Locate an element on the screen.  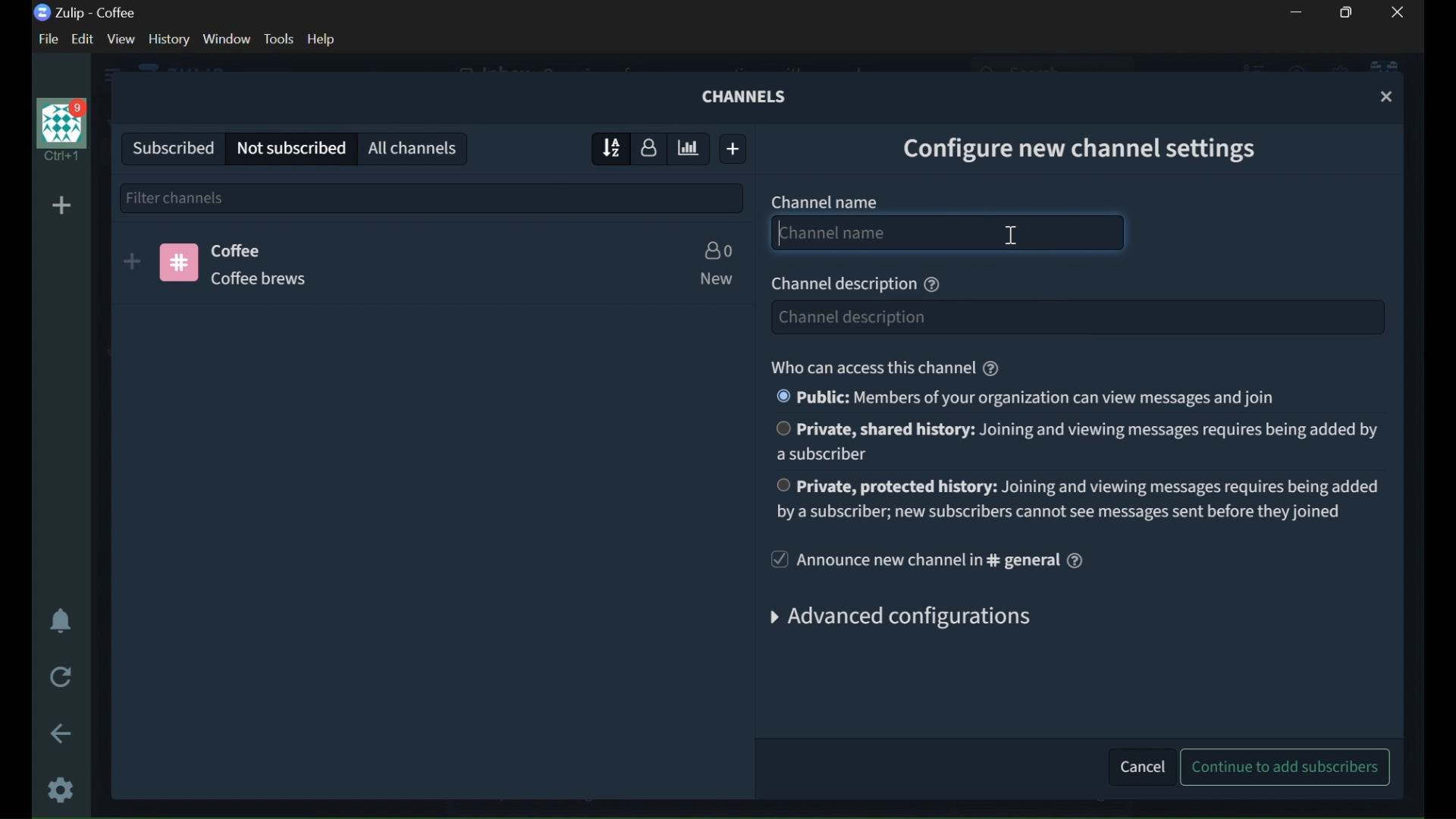
ENABLE DO NOT DISTURBE is located at coordinates (61, 623).